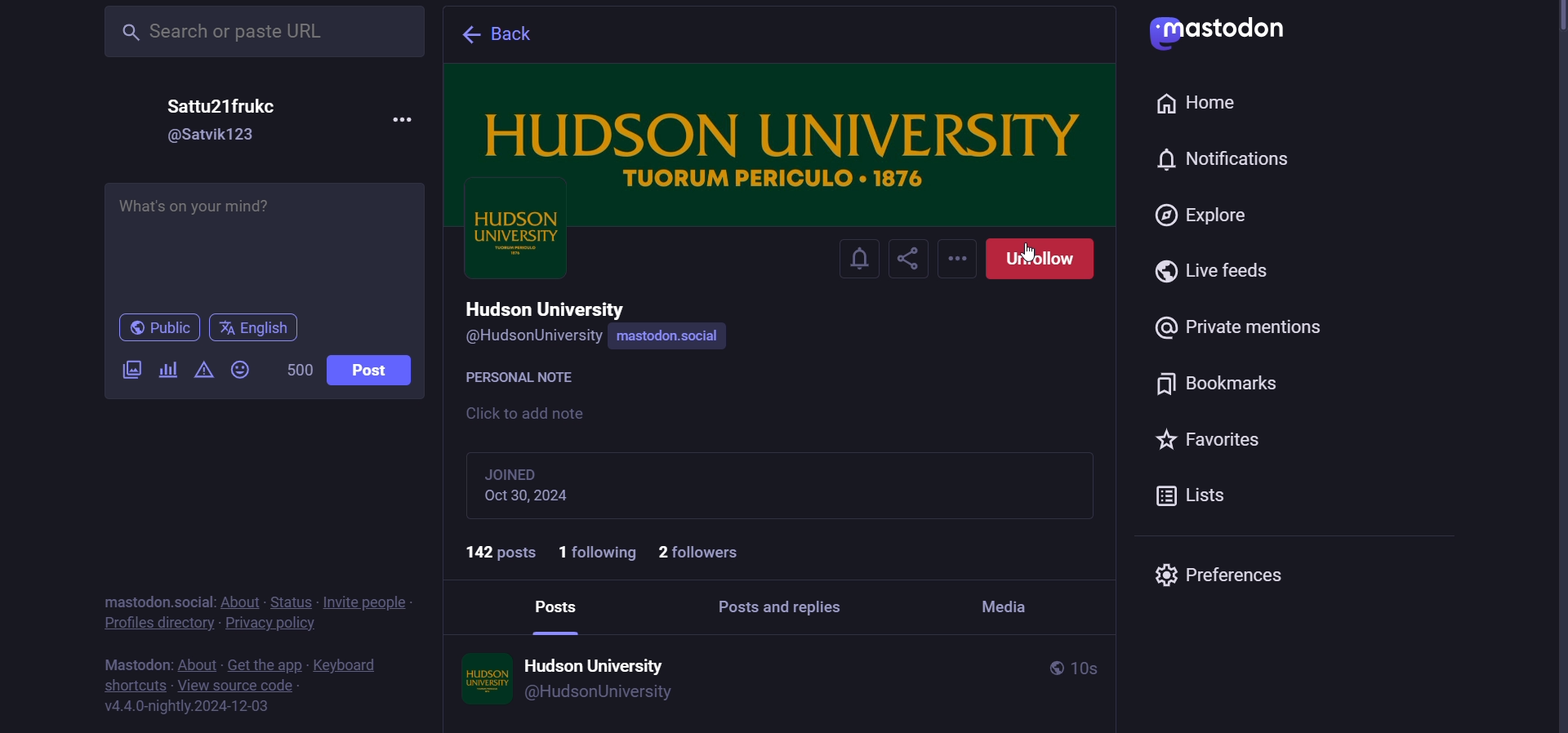 Image resolution: width=1568 pixels, height=733 pixels. Describe the element at coordinates (559, 484) in the screenshot. I see `JOINED Oct 30, 2024` at that location.